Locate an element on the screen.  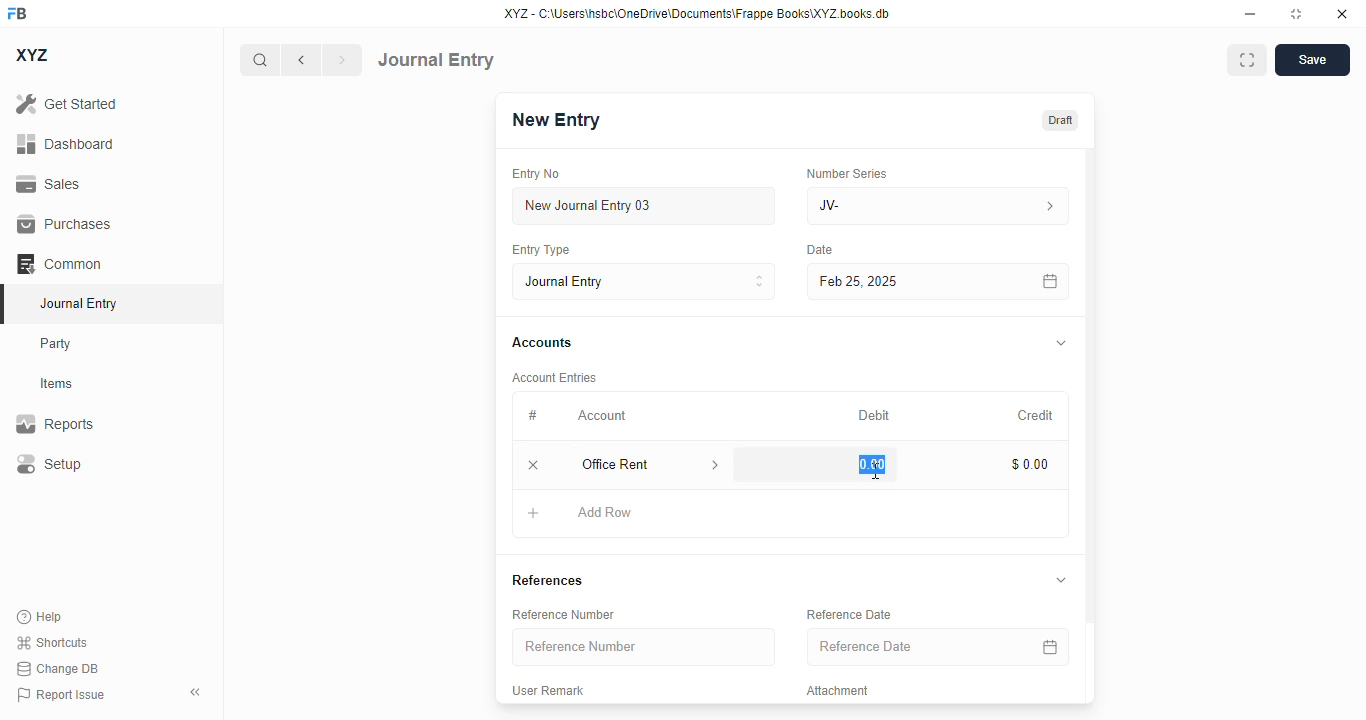
new journal entry 03 is located at coordinates (642, 206).